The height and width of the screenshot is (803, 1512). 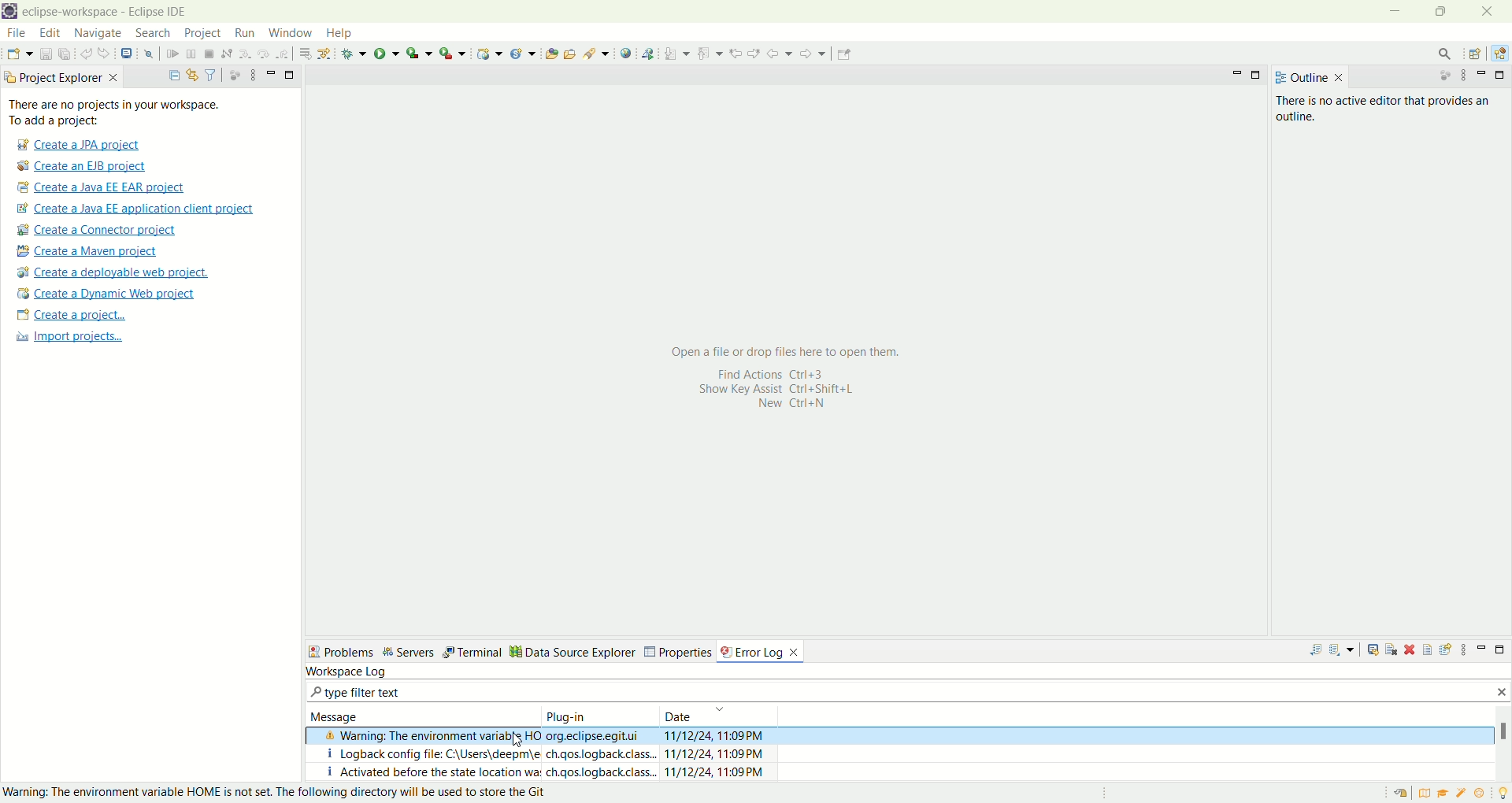 What do you see at coordinates (696, 650) in the screenshot?
I see `properties` at bounding box center [696, 650].